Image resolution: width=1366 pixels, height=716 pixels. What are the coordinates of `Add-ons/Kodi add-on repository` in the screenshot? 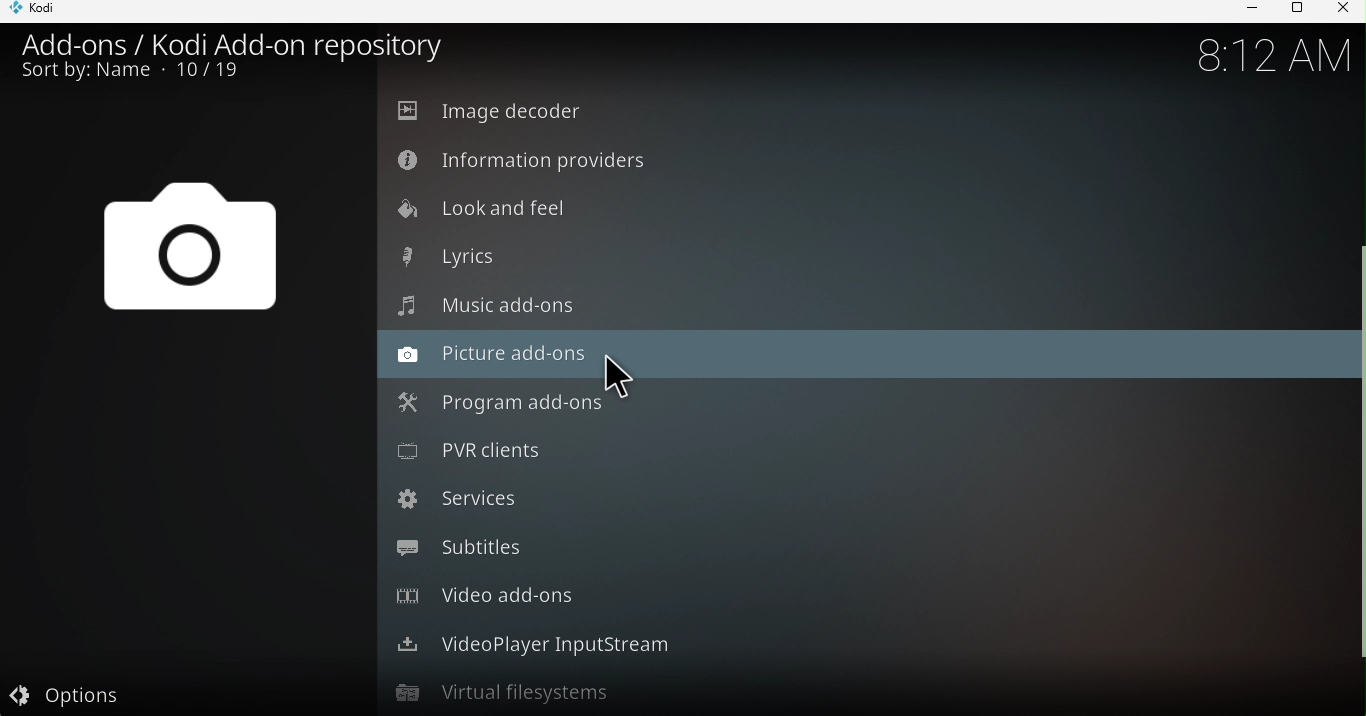 It's located at (231, 44).